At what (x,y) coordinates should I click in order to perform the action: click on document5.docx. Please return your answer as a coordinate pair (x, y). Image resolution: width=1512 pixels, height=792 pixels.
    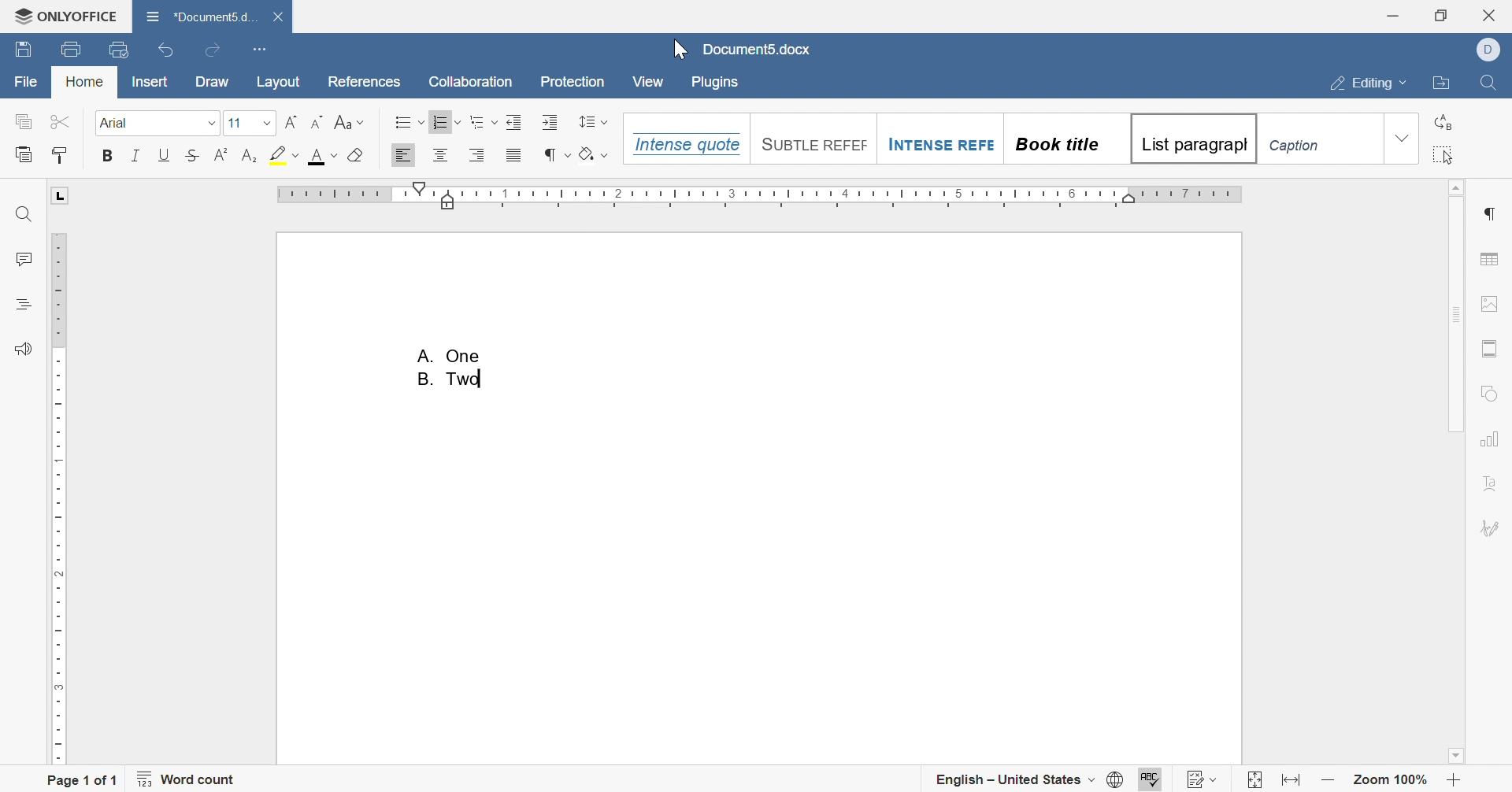
    Looking at the image, I should click on (762, 50).